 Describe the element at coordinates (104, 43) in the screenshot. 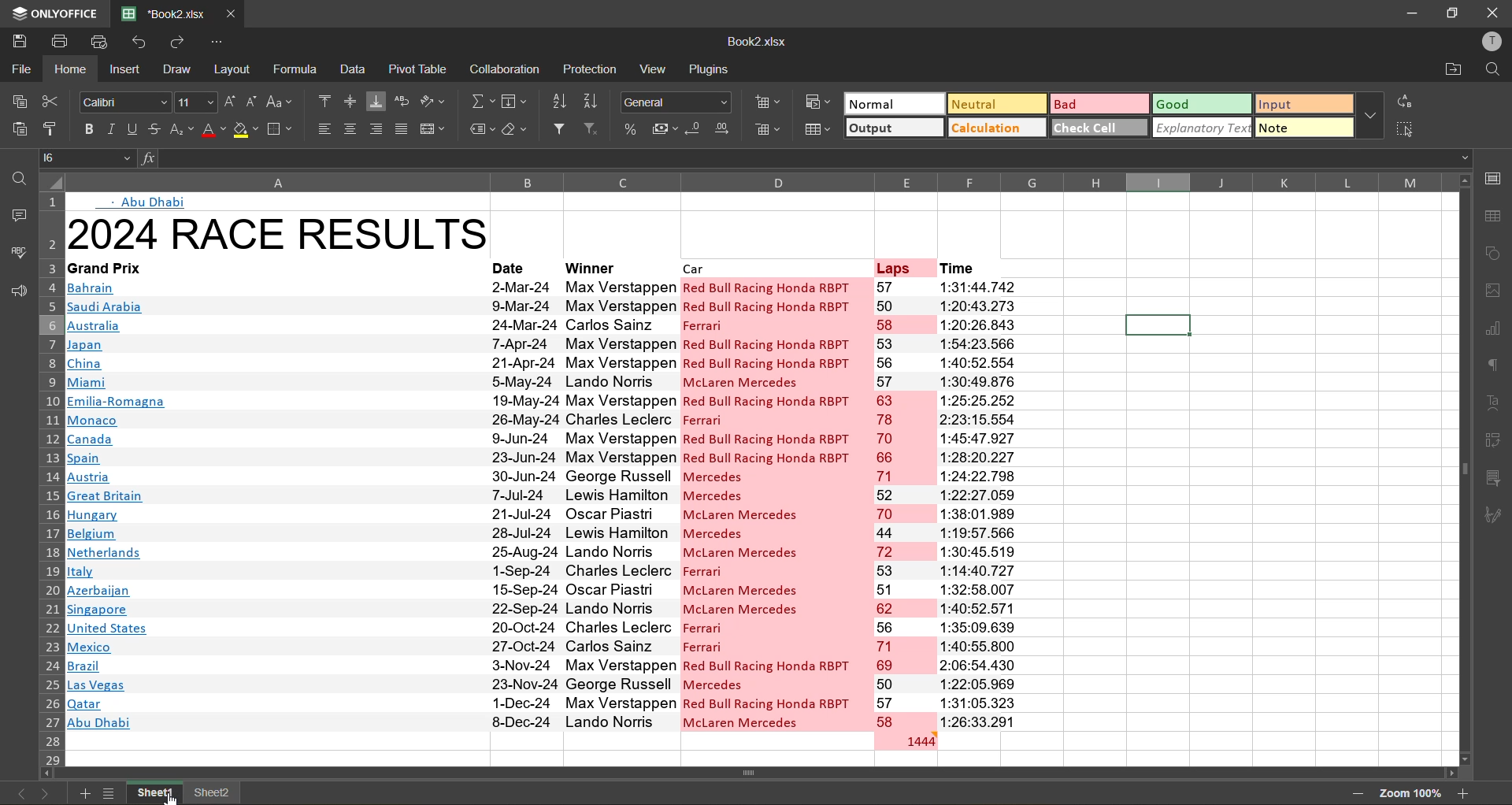

I see `quick print` at that location.